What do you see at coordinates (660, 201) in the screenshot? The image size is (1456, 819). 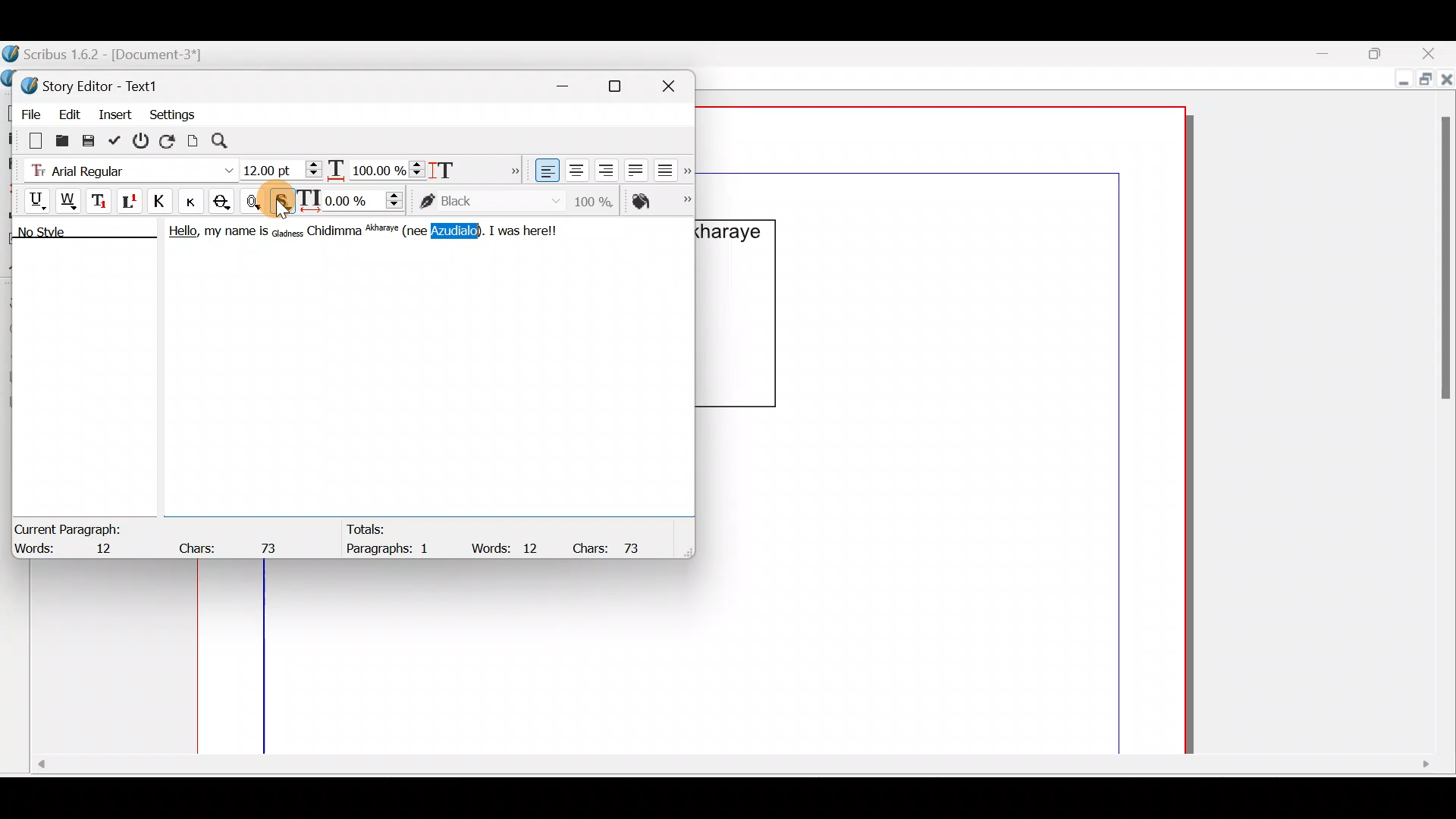 I see `Color of text fill` at bounding box center [660, 201].